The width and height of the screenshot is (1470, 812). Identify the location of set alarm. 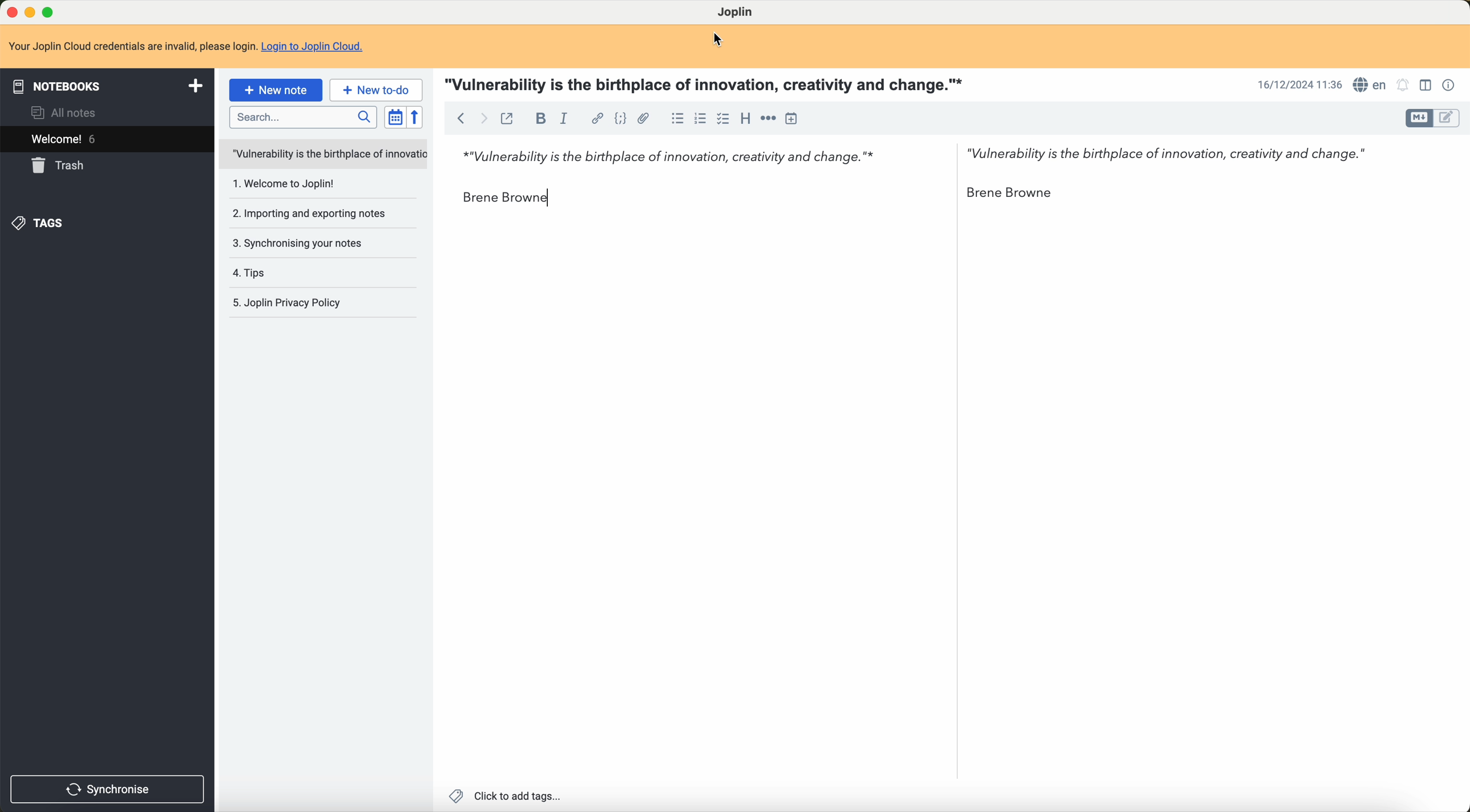
(1405, 86).